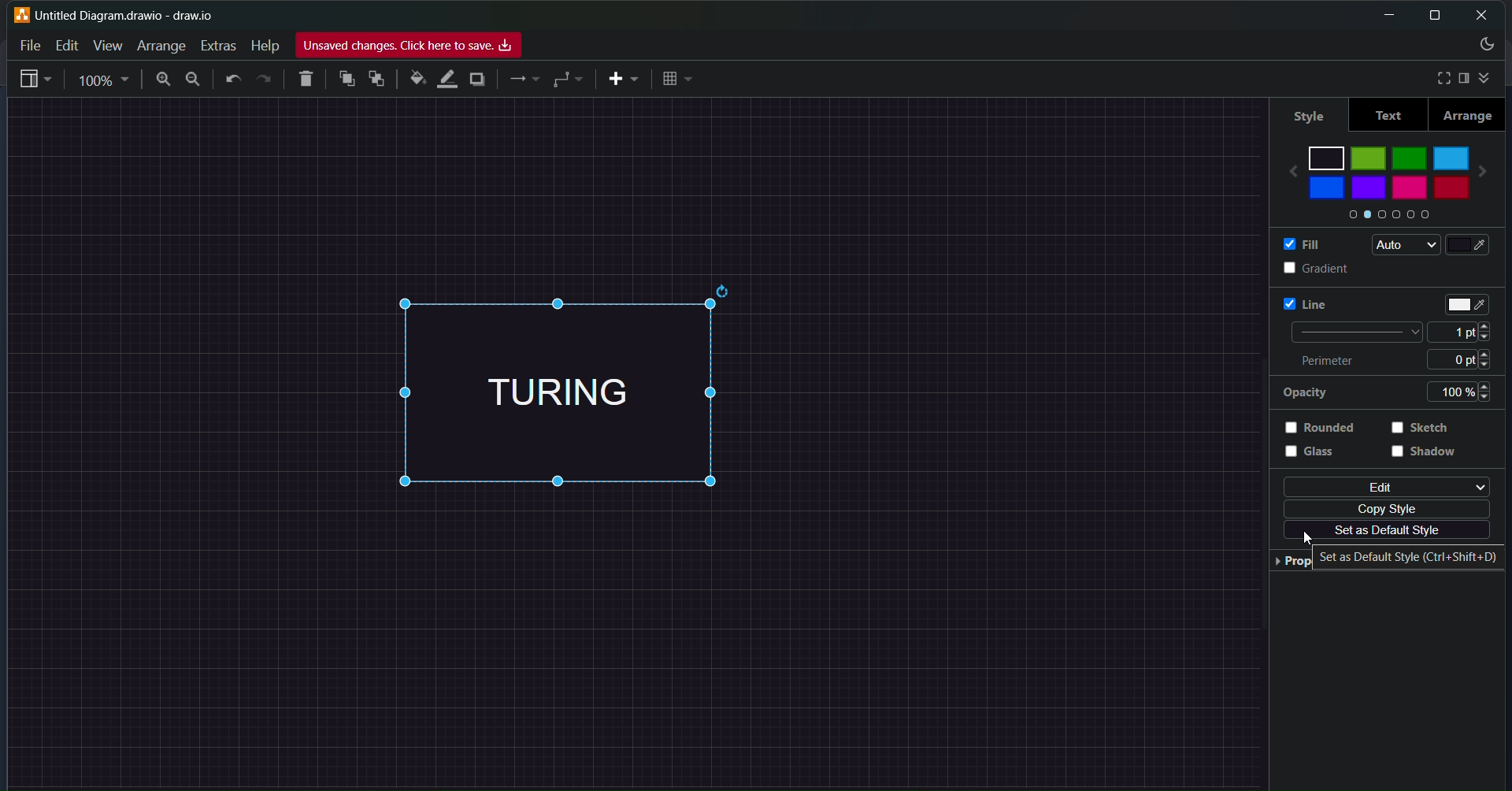 This screenshot has height=791, width=1512. Describe the element at coordinates (1301, 268) in the screenshot. I see `gradient` at that location.